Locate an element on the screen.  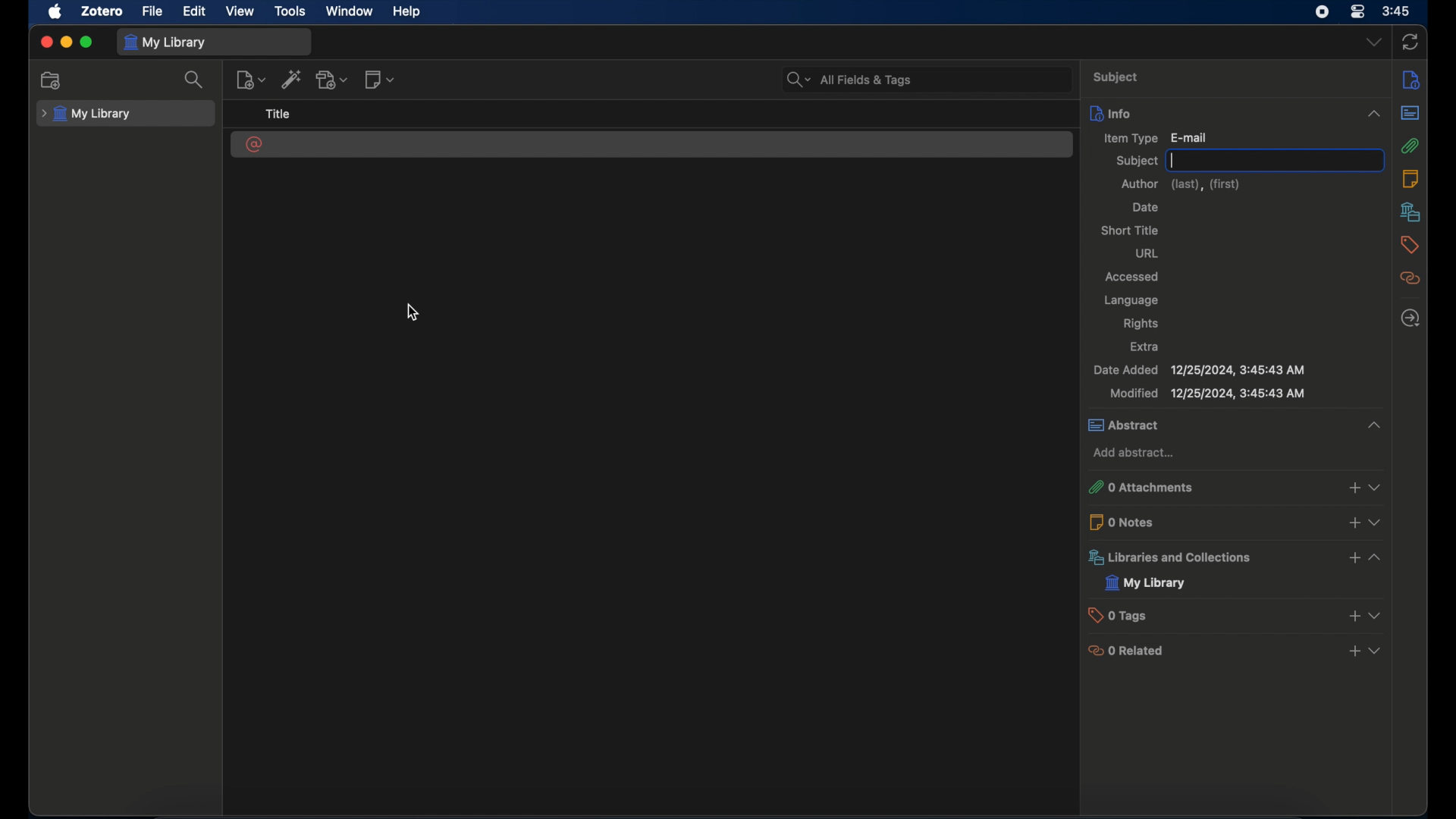
date is located at coordinates (1145, 209).